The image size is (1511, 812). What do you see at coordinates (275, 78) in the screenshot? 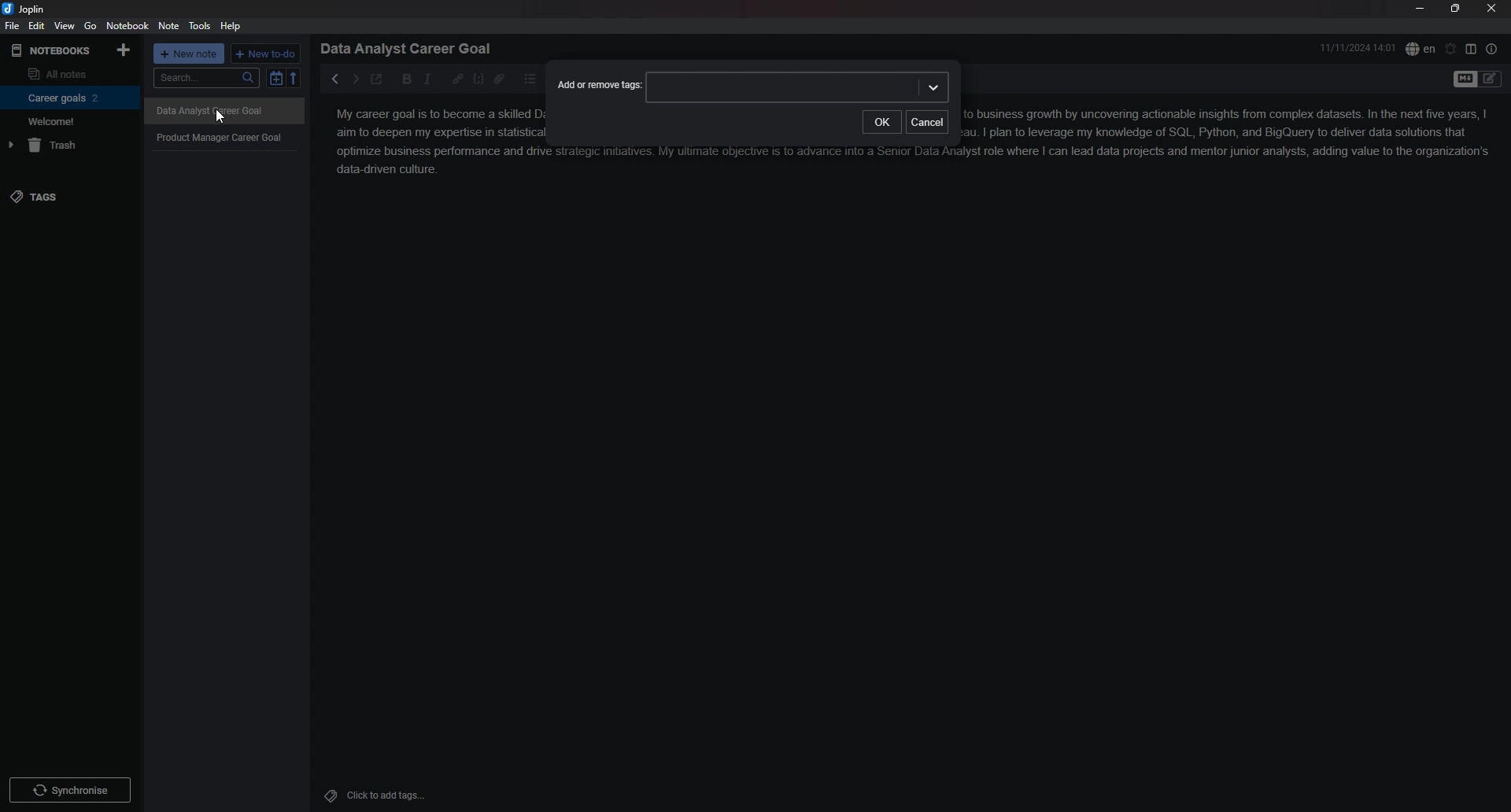
I see `toggle sort order` at bounding box center [275, 78].